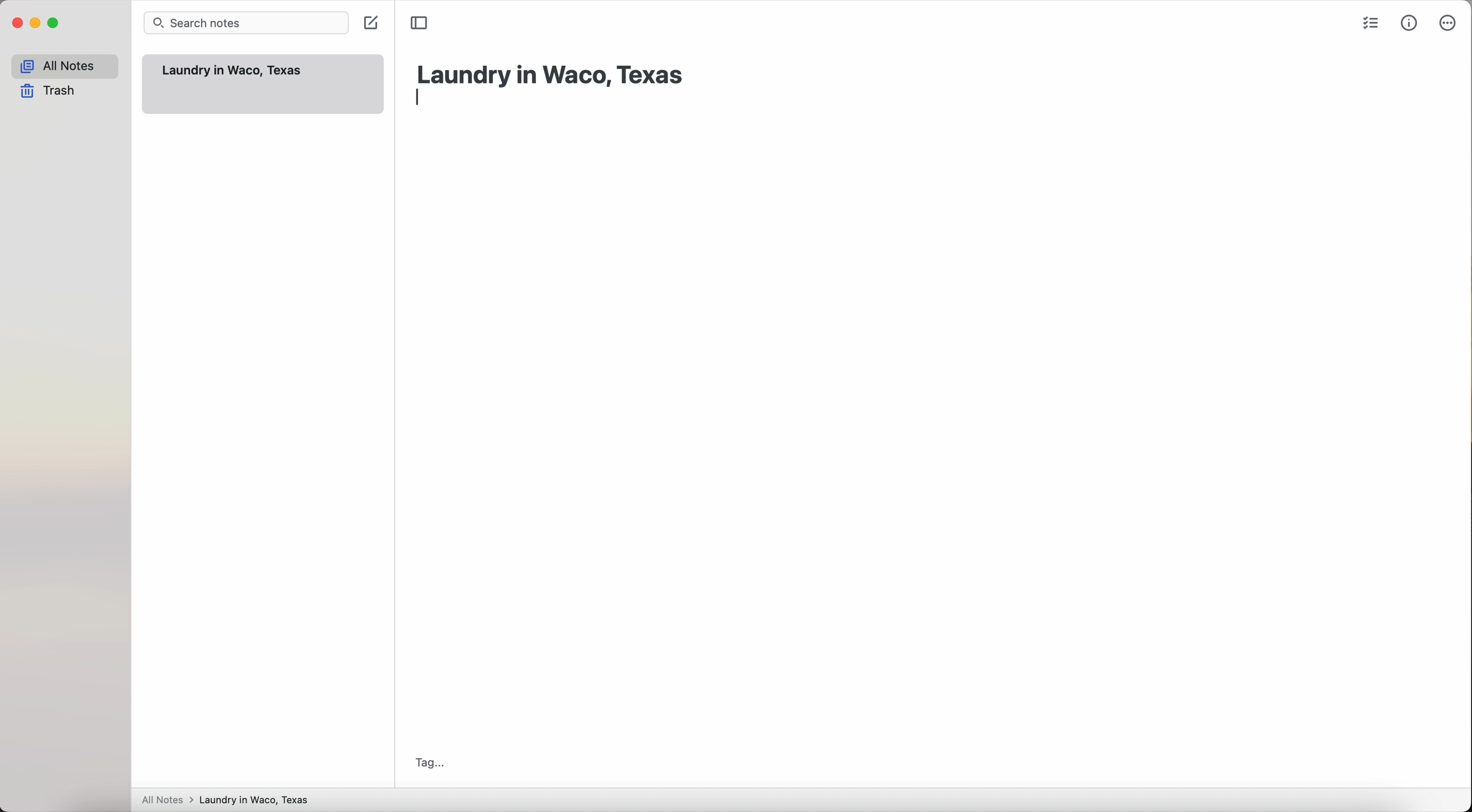 This screenshot has height=812, width=1472. Describe the element at coordinates (374, 26) in the screenshot. I see `click on create note` at that location.